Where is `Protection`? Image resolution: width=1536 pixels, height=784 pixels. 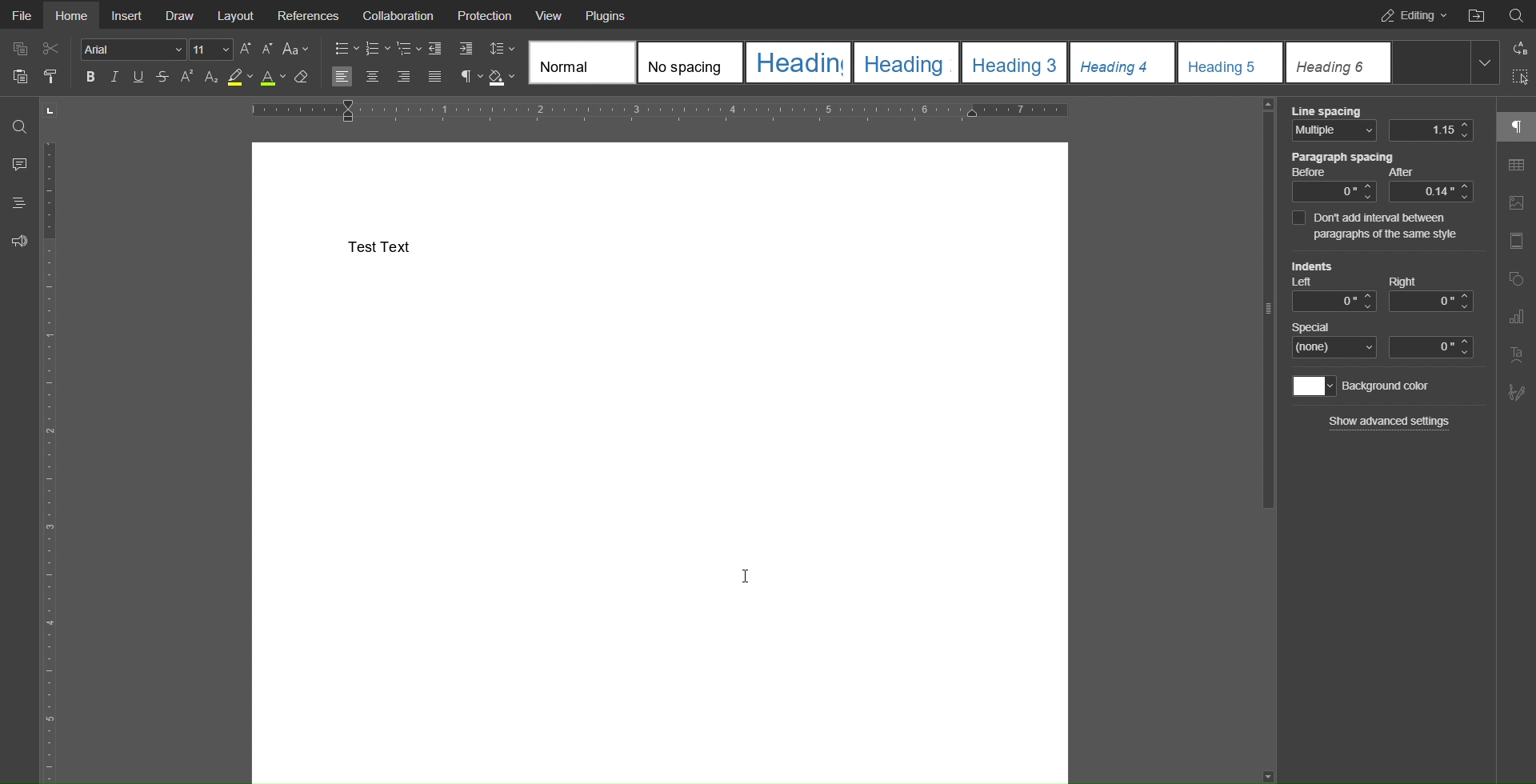 Protection is located at coordinates (486, 14).